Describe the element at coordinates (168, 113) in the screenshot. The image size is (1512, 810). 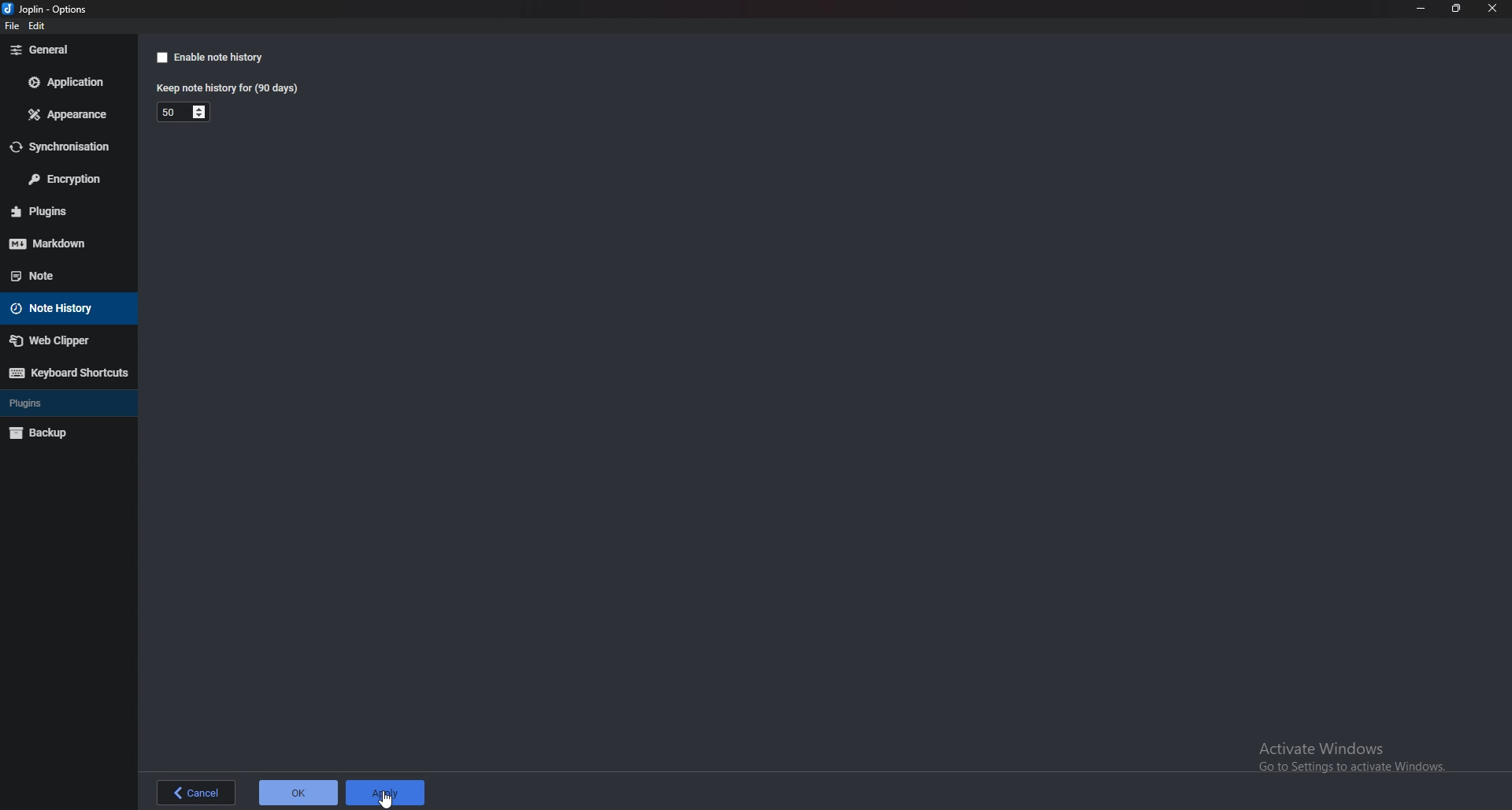
I see `Duration` at that location.